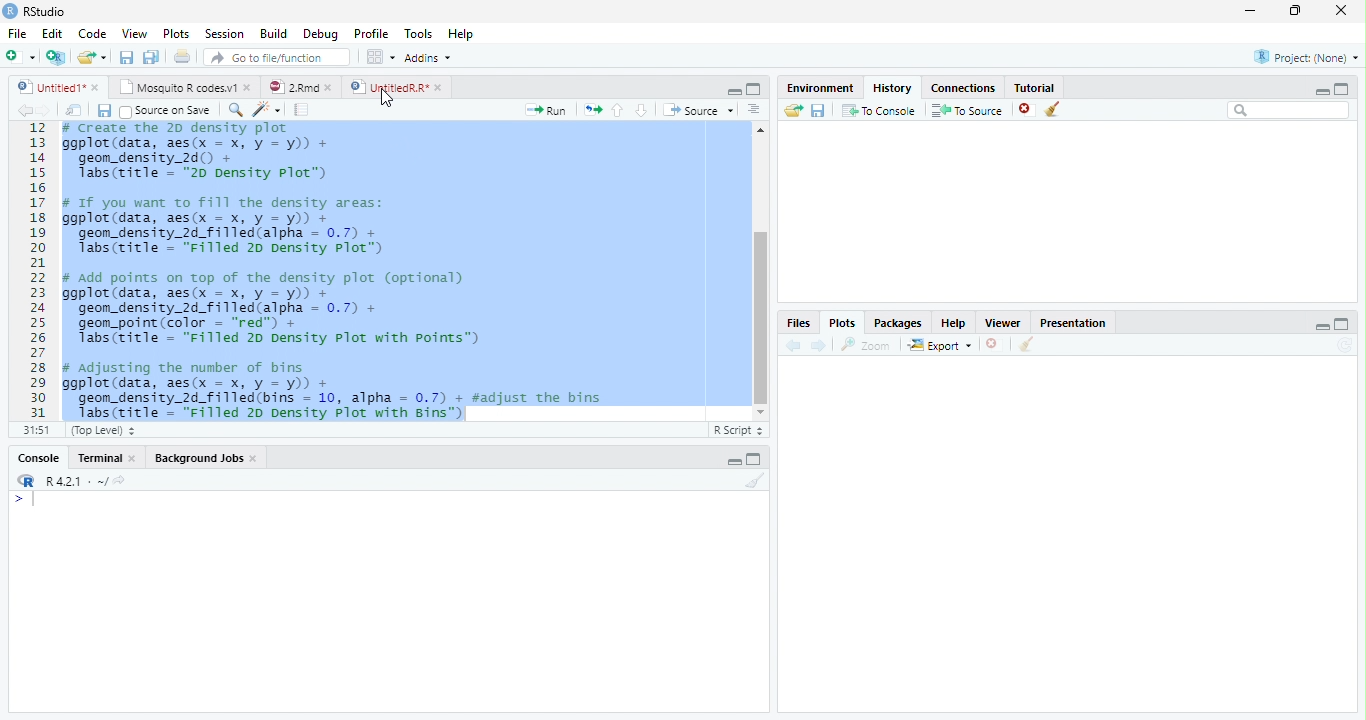 The width and height of the screenshot is (1366, 720). I want to click on Profile, so click(372, 34).